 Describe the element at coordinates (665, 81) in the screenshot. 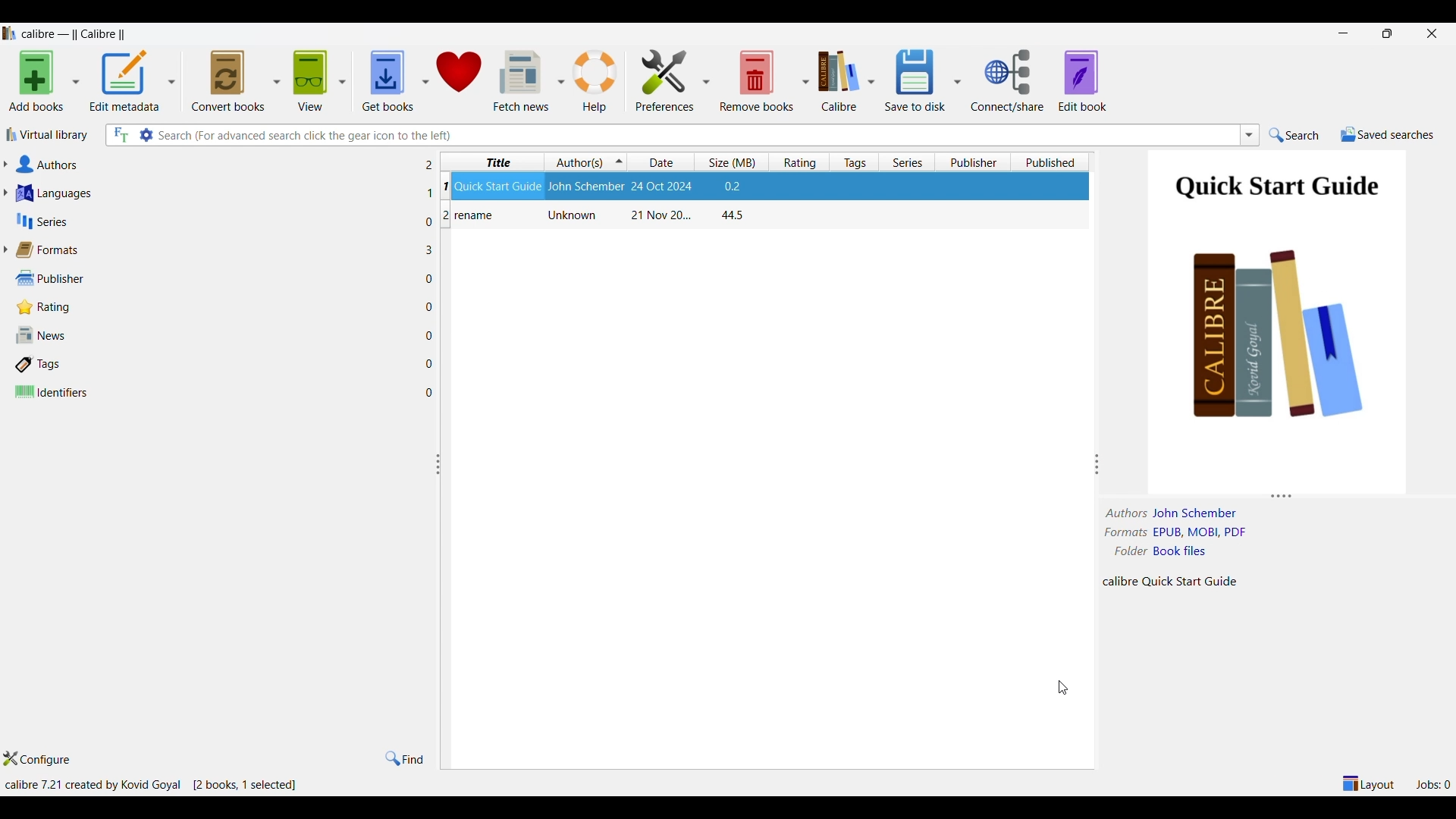

I see `Preferences` at that location.